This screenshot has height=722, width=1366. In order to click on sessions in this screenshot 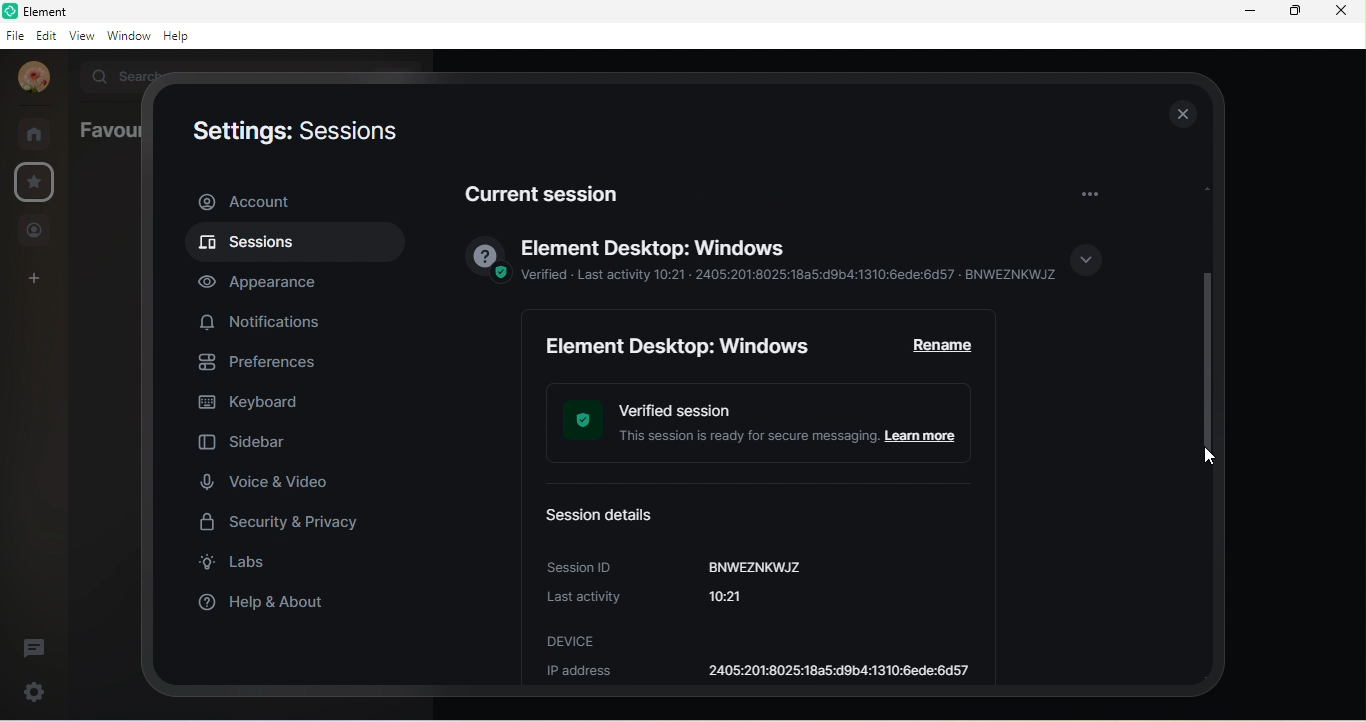, I will do `click(291, 245)`.